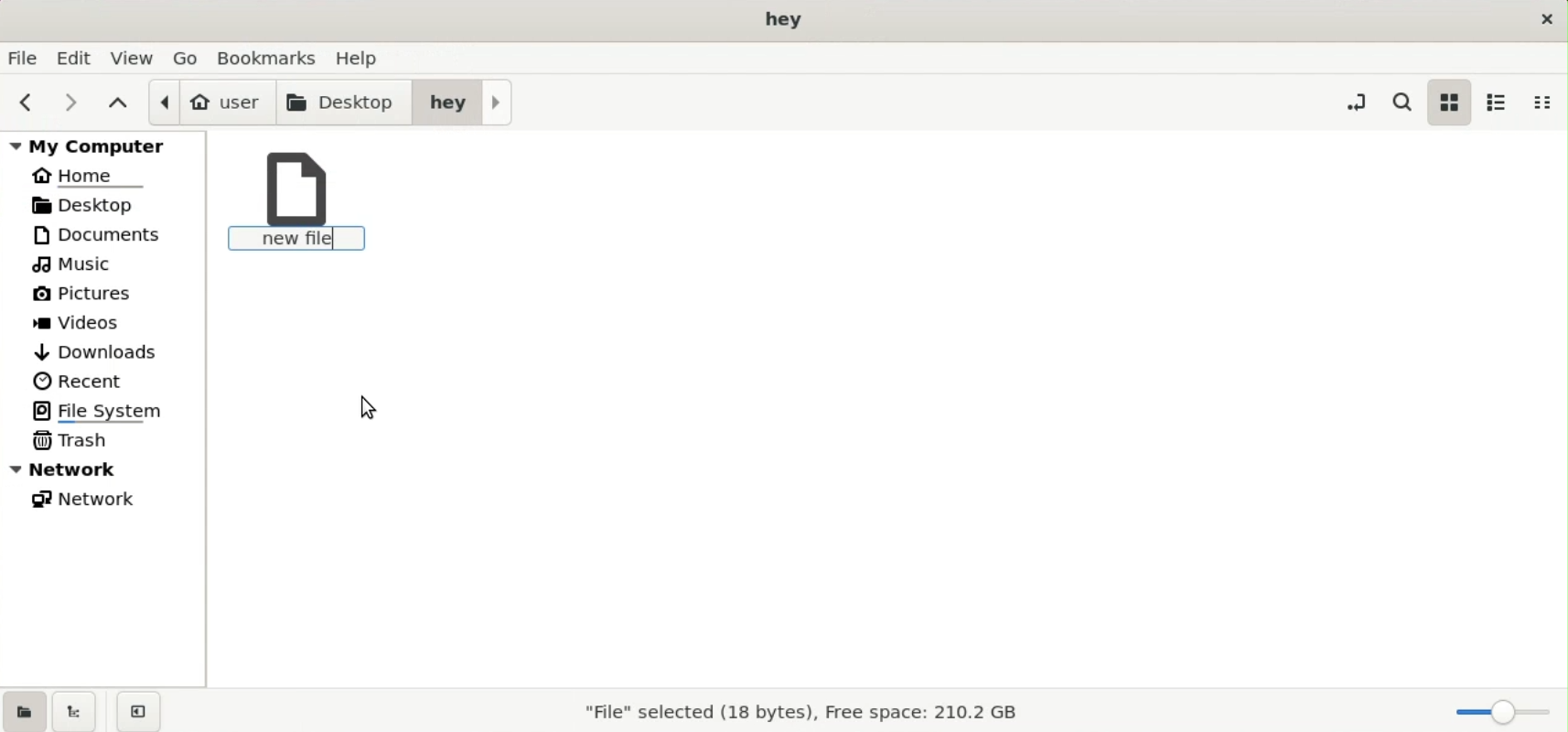 This screenshot has width=1568, height=732. I want to click on previous, so click(23, 102).